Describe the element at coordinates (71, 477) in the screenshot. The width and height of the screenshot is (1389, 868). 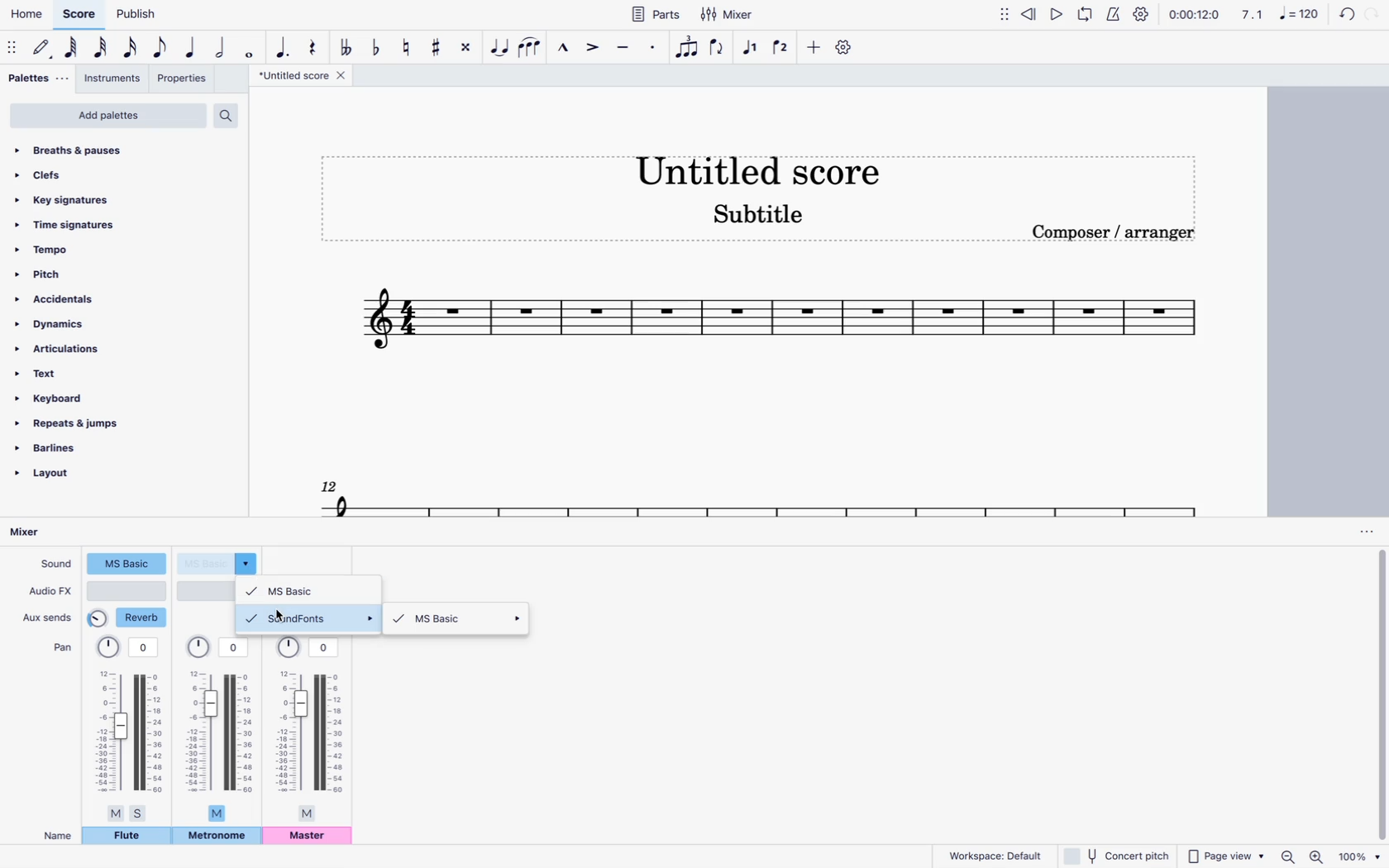
I see `layout` at that location.